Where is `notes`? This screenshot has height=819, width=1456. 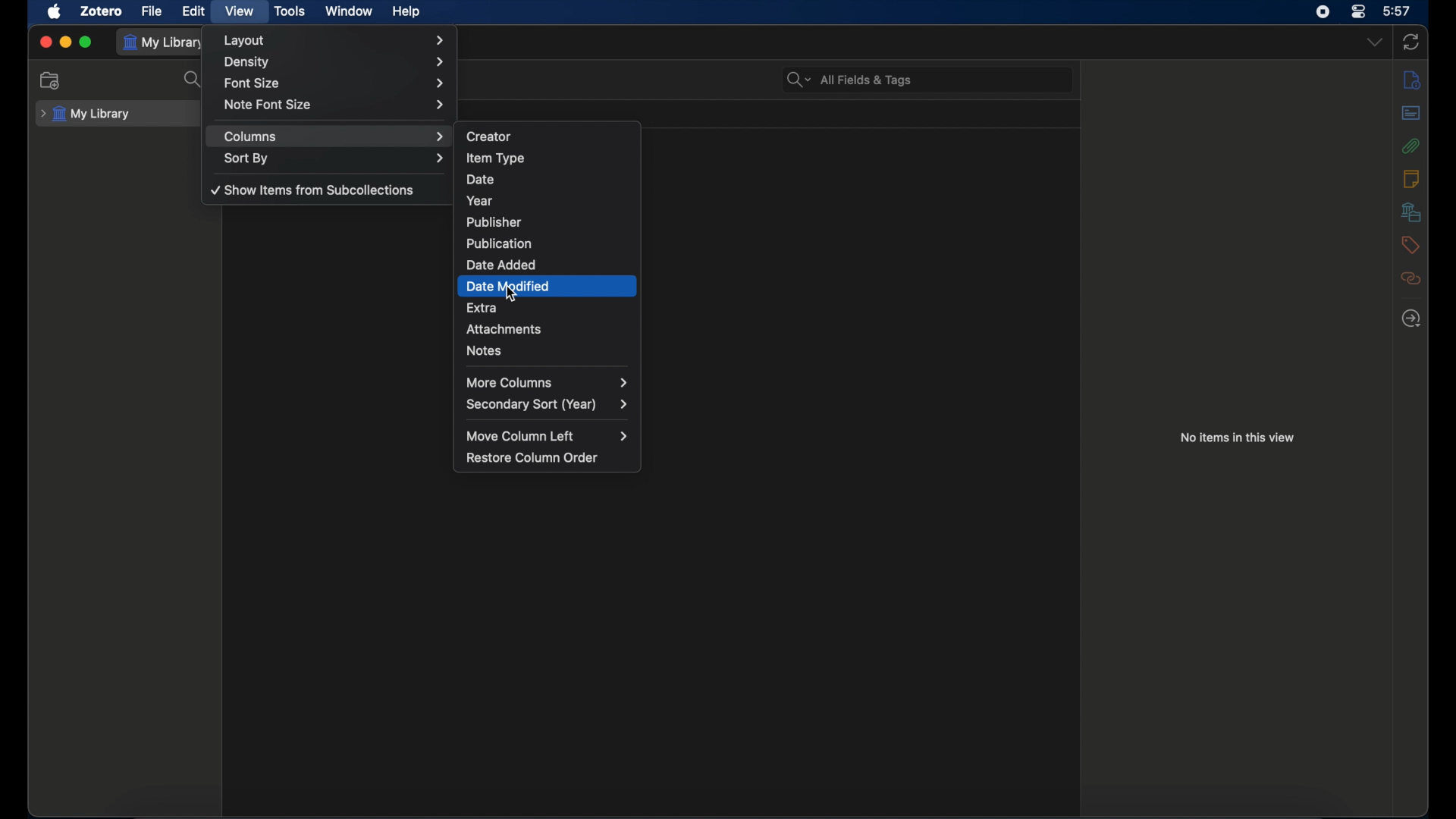
notes is located at coordinates (1410, 177).